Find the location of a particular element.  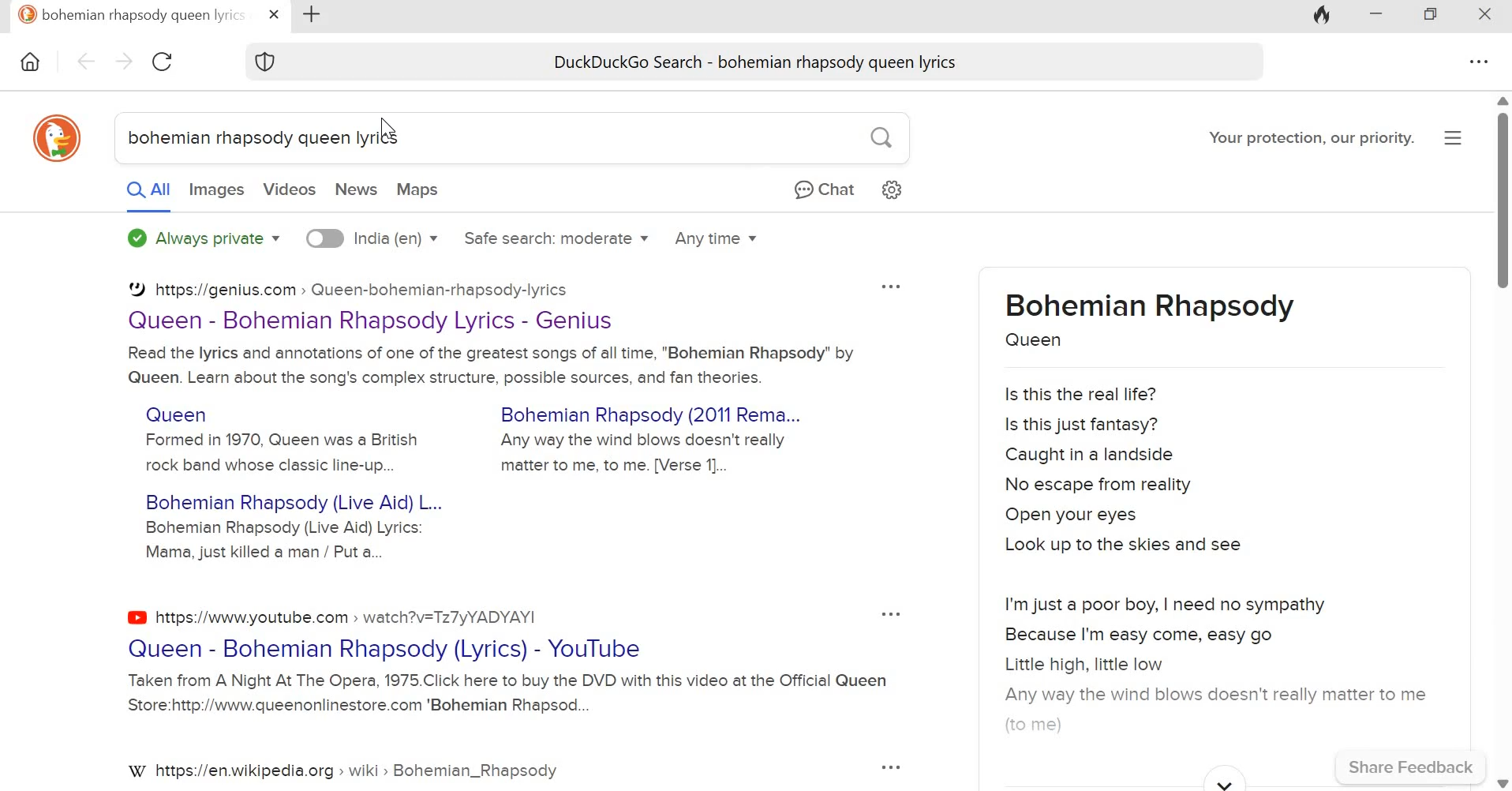

India (en) is located at coordinates (398, 238).